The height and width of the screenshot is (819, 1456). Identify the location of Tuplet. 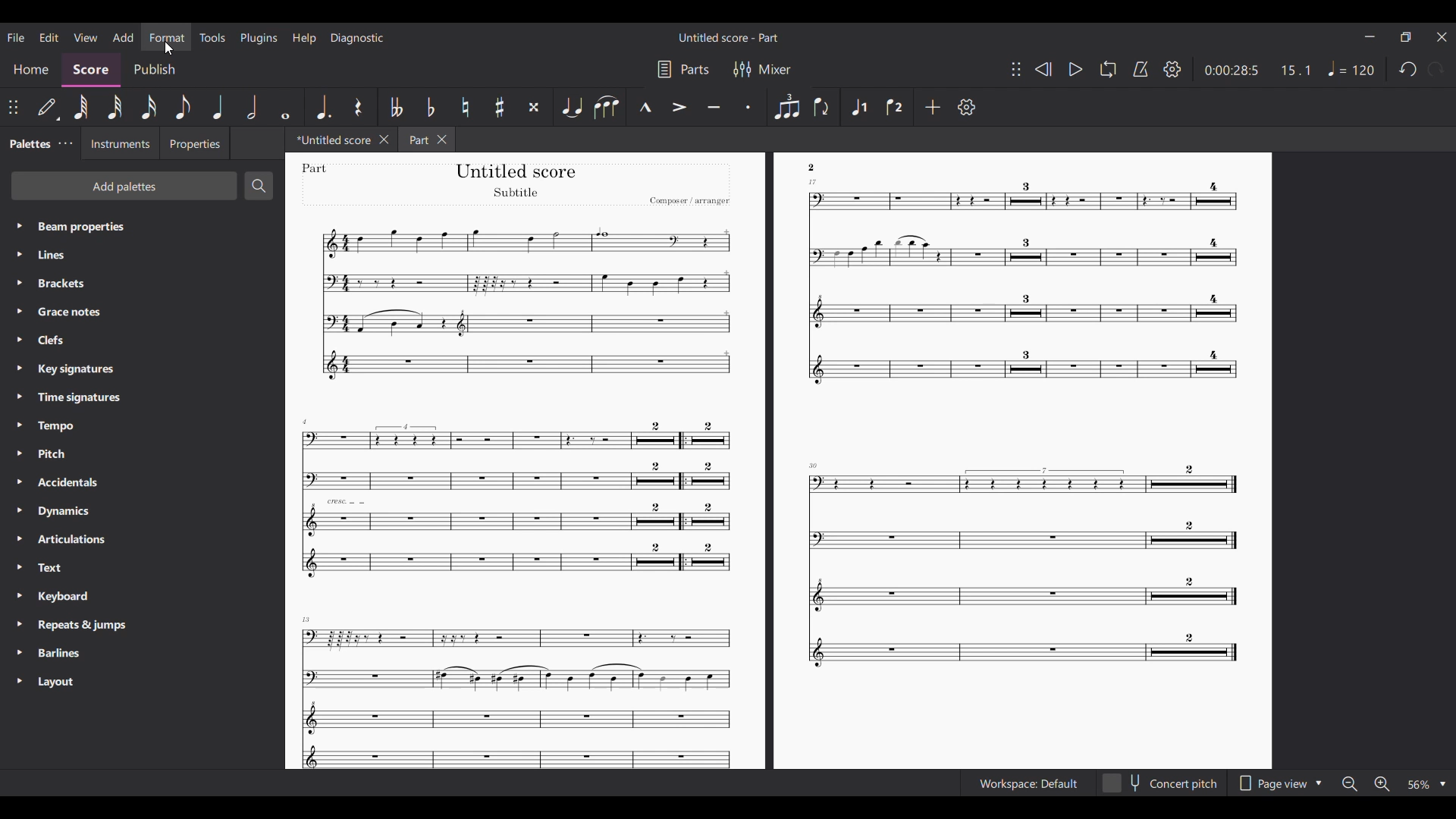
(786, 107).